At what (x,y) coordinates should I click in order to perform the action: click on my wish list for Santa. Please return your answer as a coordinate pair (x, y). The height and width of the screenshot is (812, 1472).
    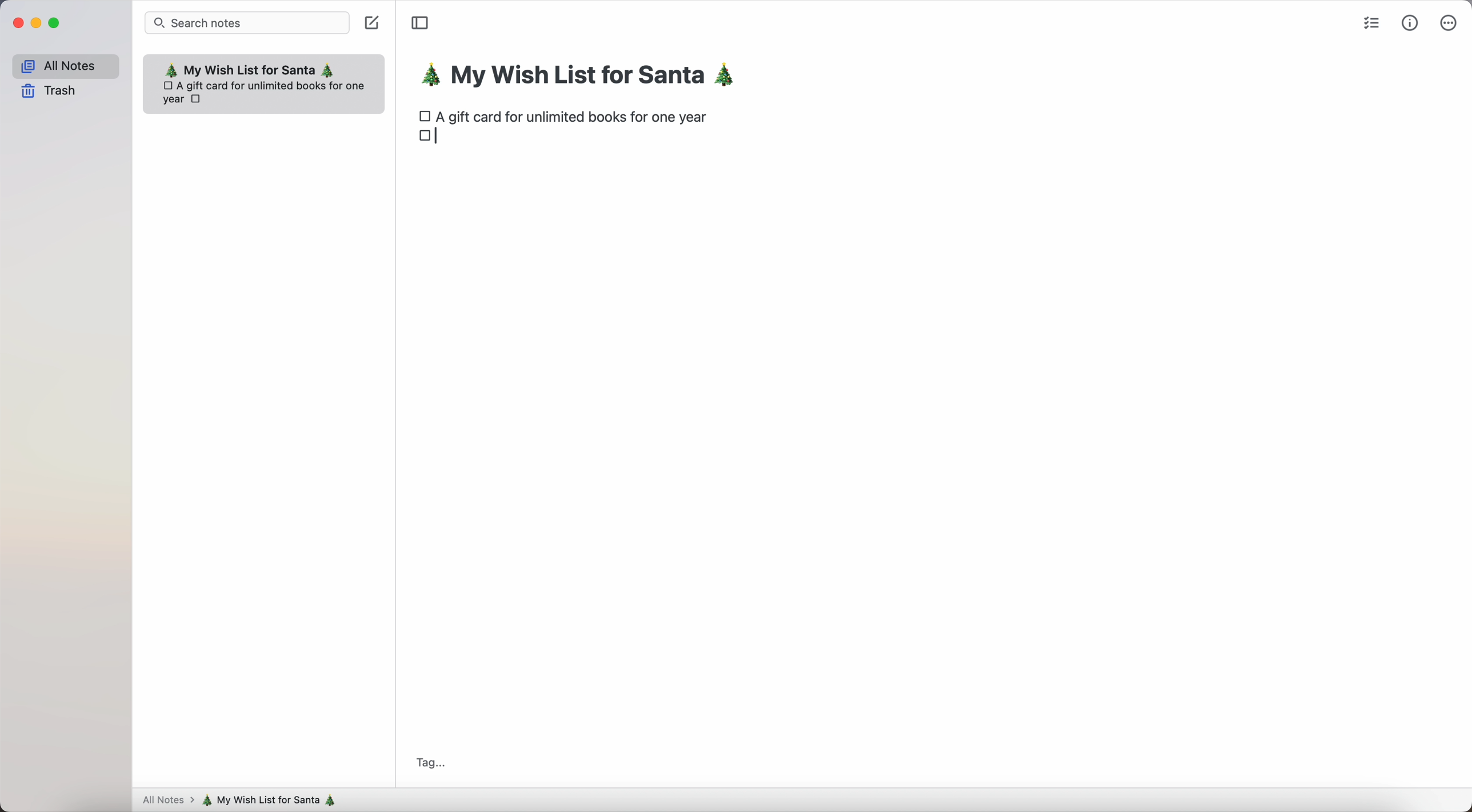
    Looking at the image, I should click on (585, 77).